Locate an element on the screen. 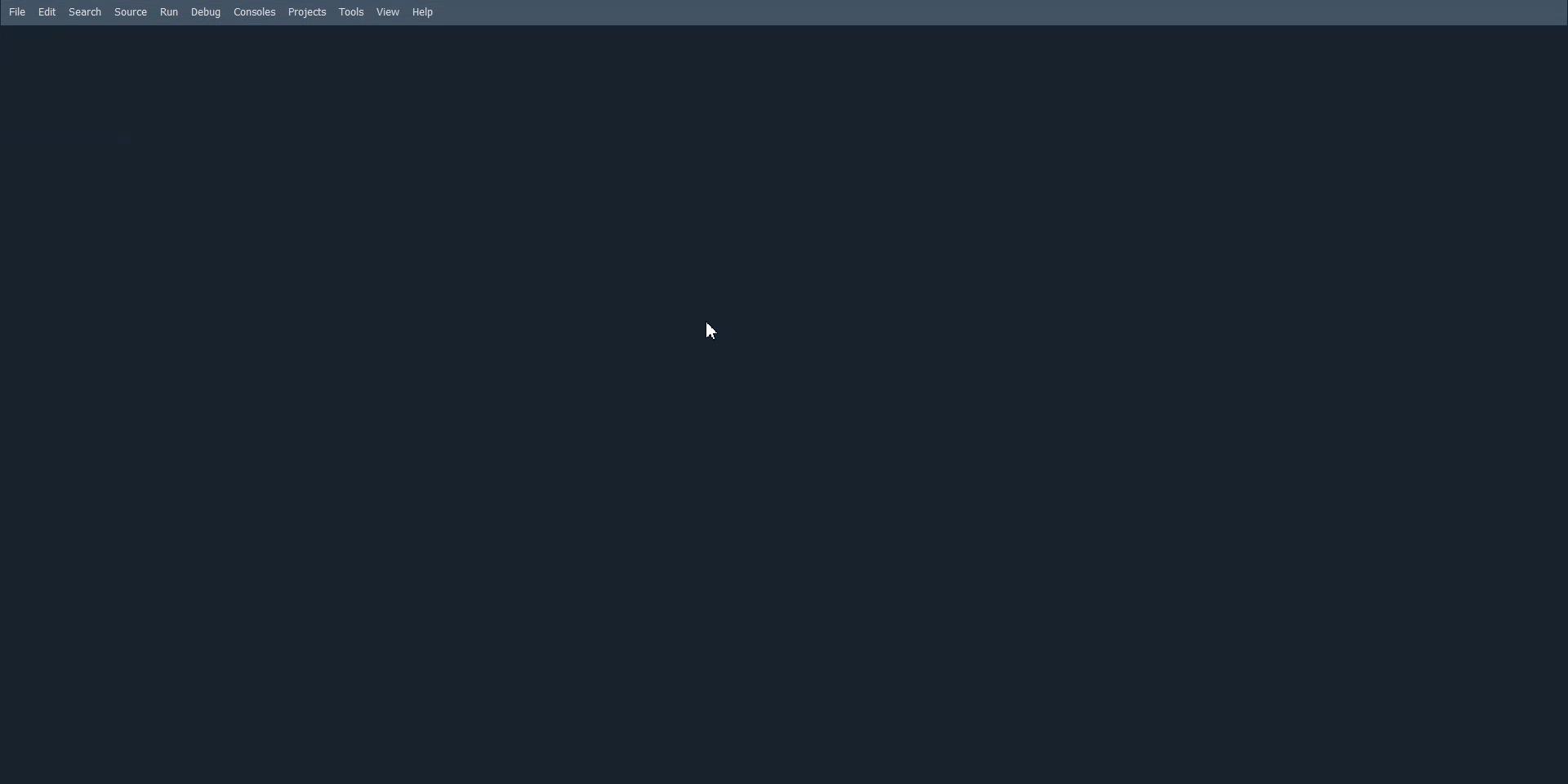 The width and height of the screenshot is (1568, 784). Tools is located at coordinates (353, 12).